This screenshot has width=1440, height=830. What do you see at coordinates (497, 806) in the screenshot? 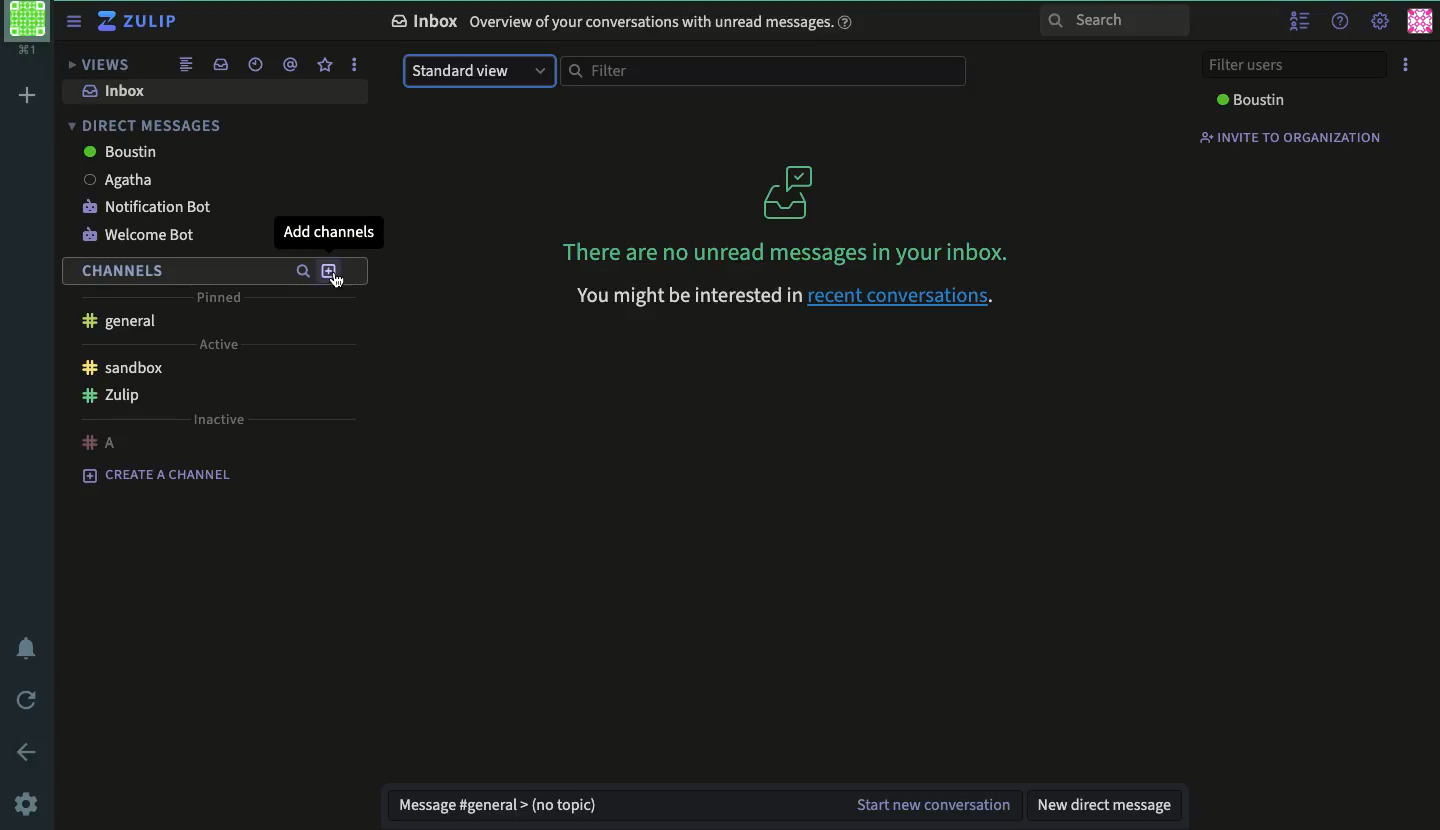
I see `message general` at bounding box center [497, 806].